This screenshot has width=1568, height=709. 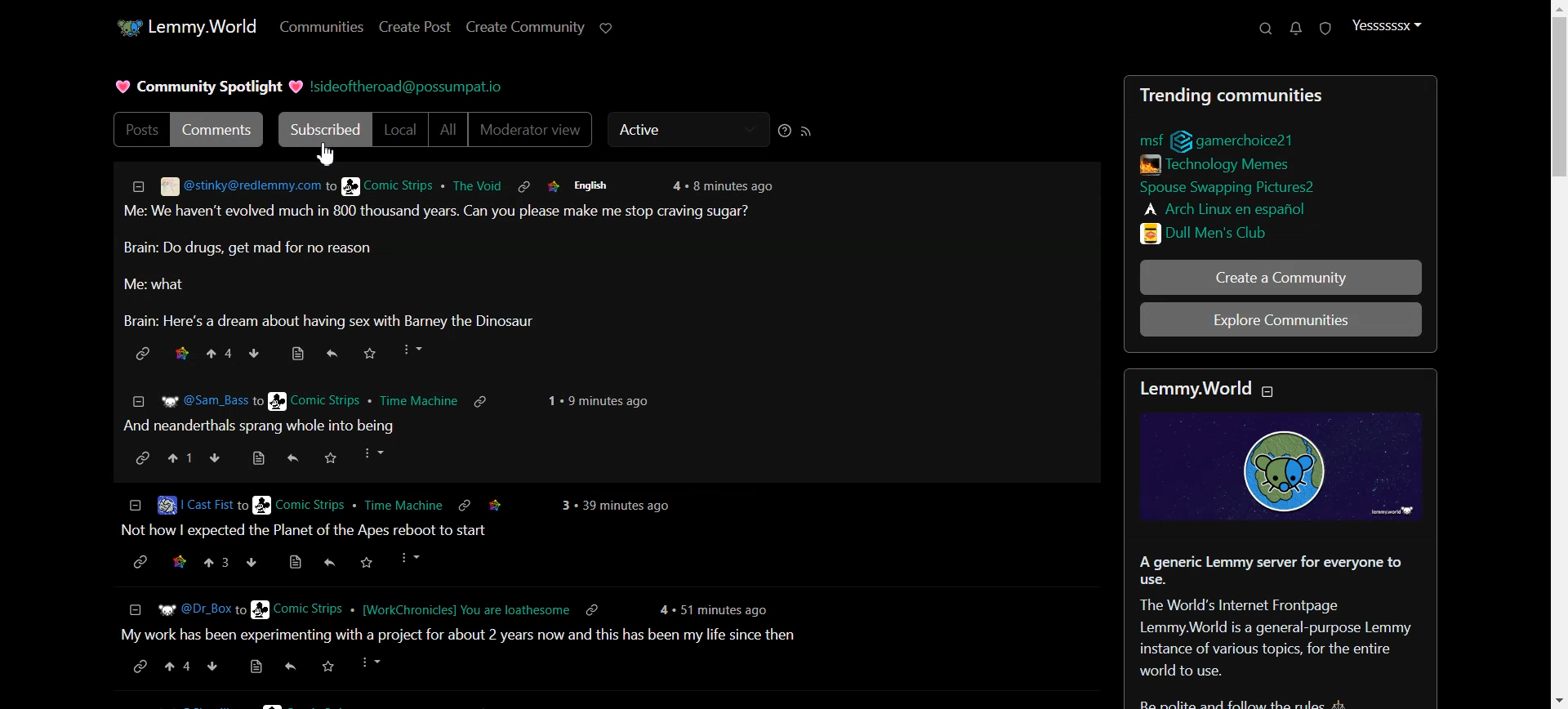 What do you see at coordinates (215, 561) in the screenshot?
I see `upvote` at bounding box center [215, 561].